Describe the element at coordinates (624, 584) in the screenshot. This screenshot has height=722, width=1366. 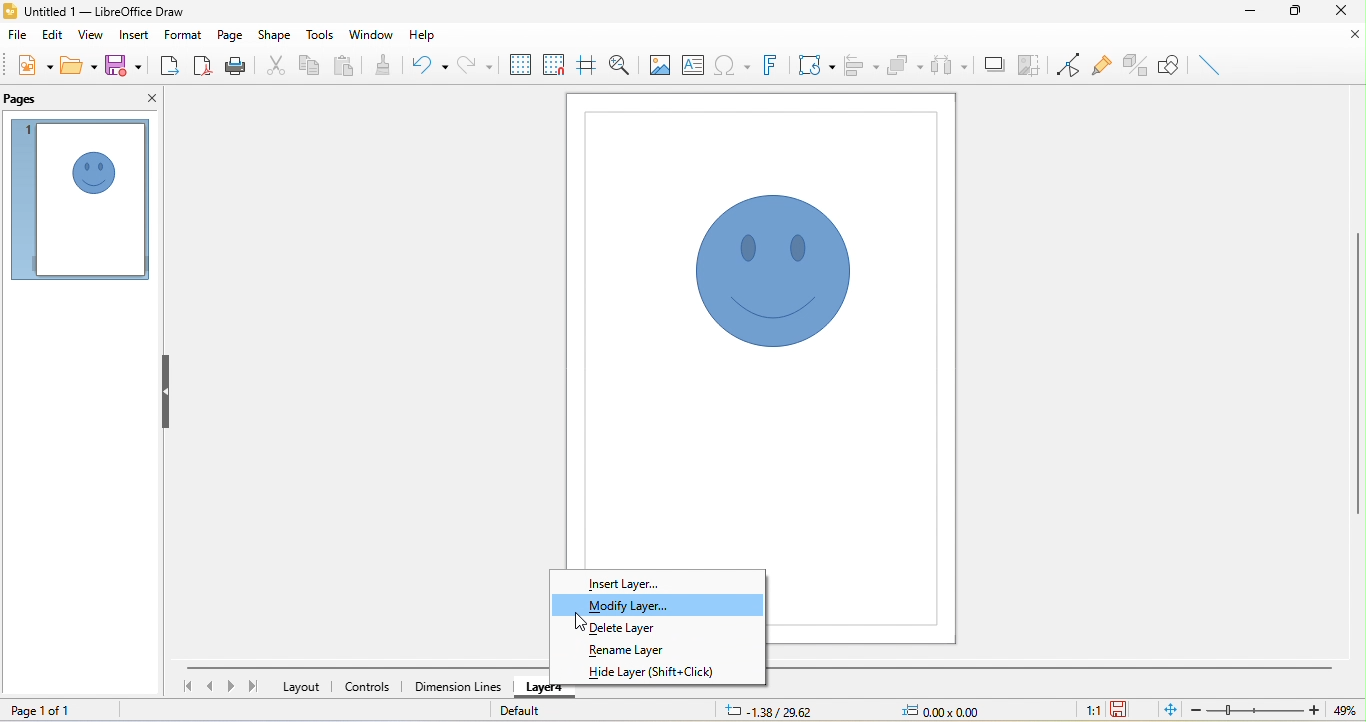
I see `insert layer` at that location.